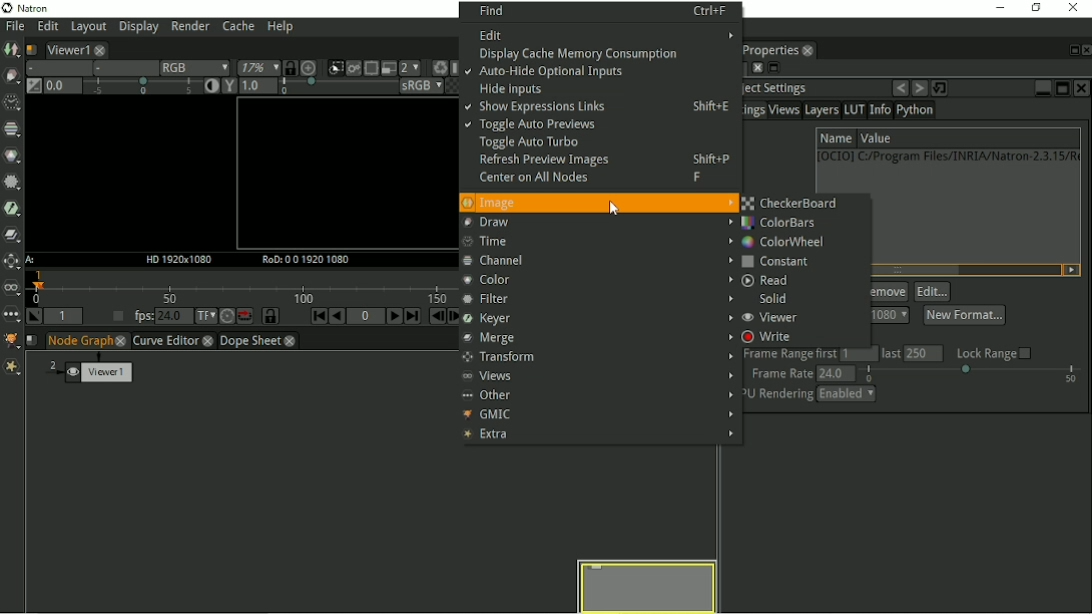 The image size is (1092, 614). What do you see at coordinates (607, 34) in the screenshot?
I see `Edit` at bounding box center [607, 34].